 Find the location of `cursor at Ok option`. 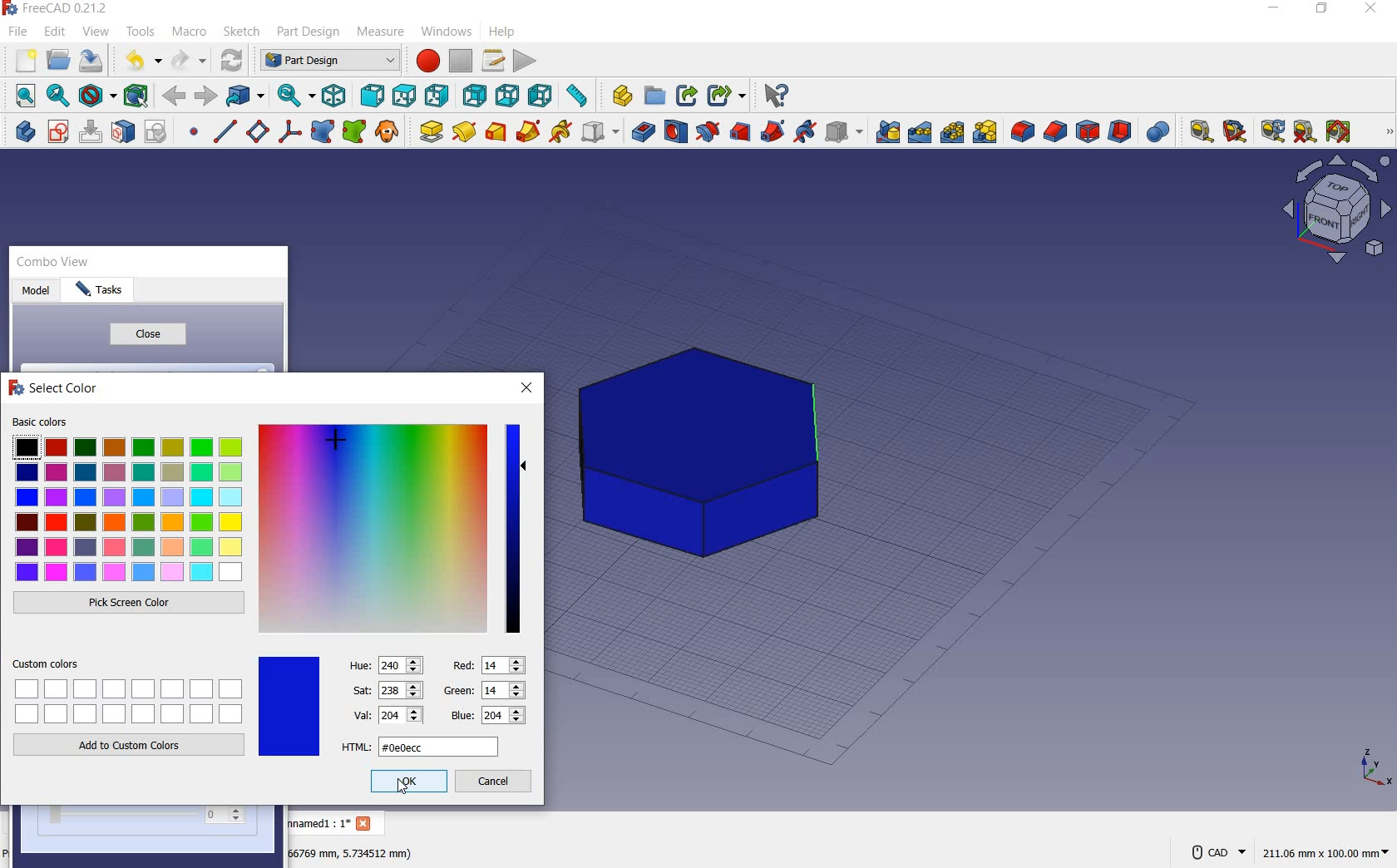

cursor at Ok option is located at coordinates (407, 793).